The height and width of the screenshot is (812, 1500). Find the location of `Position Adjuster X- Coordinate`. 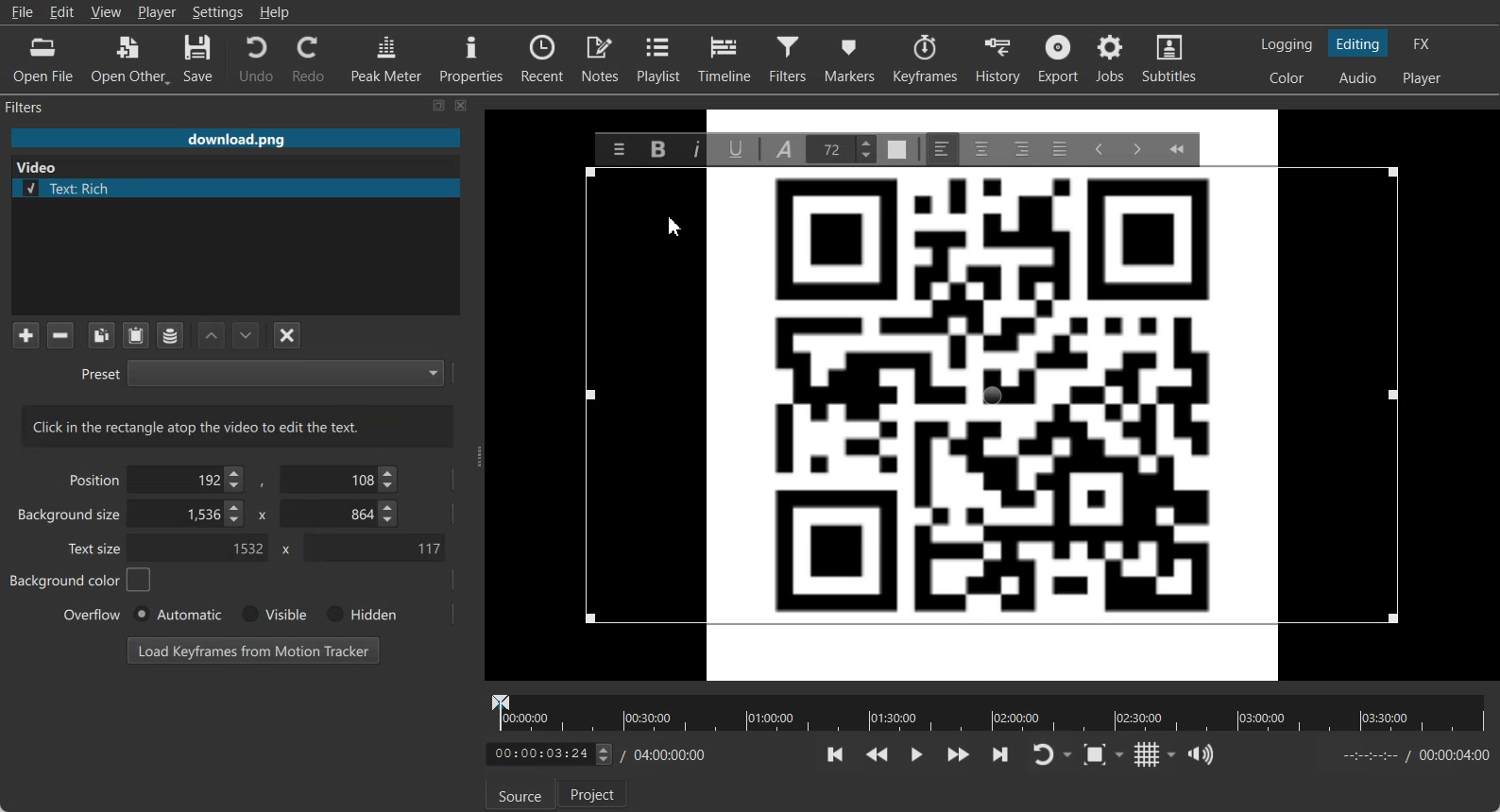

Position Adjuster X- Coordinate is located at coordinates (189, 479).